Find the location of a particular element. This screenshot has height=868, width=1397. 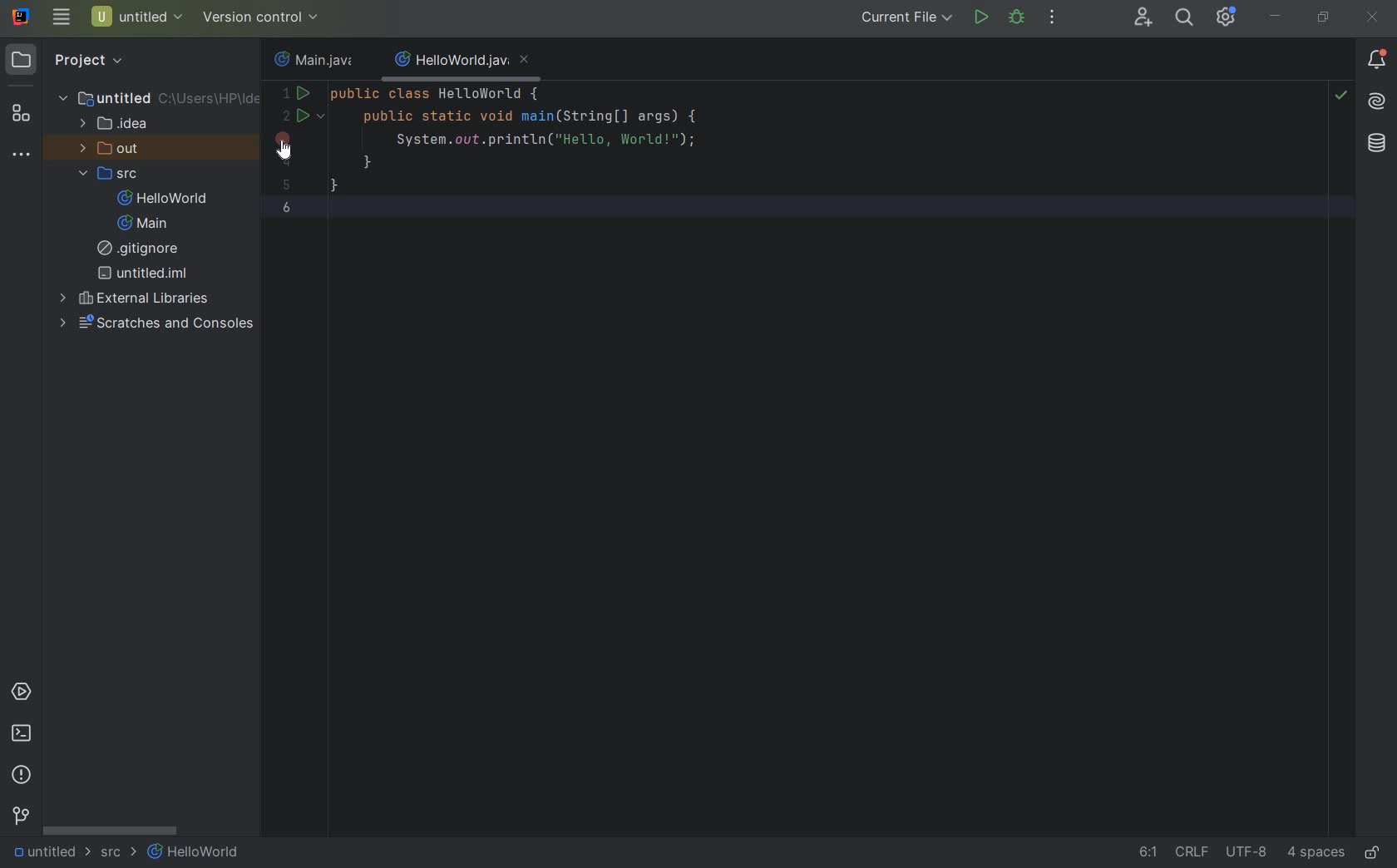

IDE and Project Settings is located at coordinates (1227, 18).